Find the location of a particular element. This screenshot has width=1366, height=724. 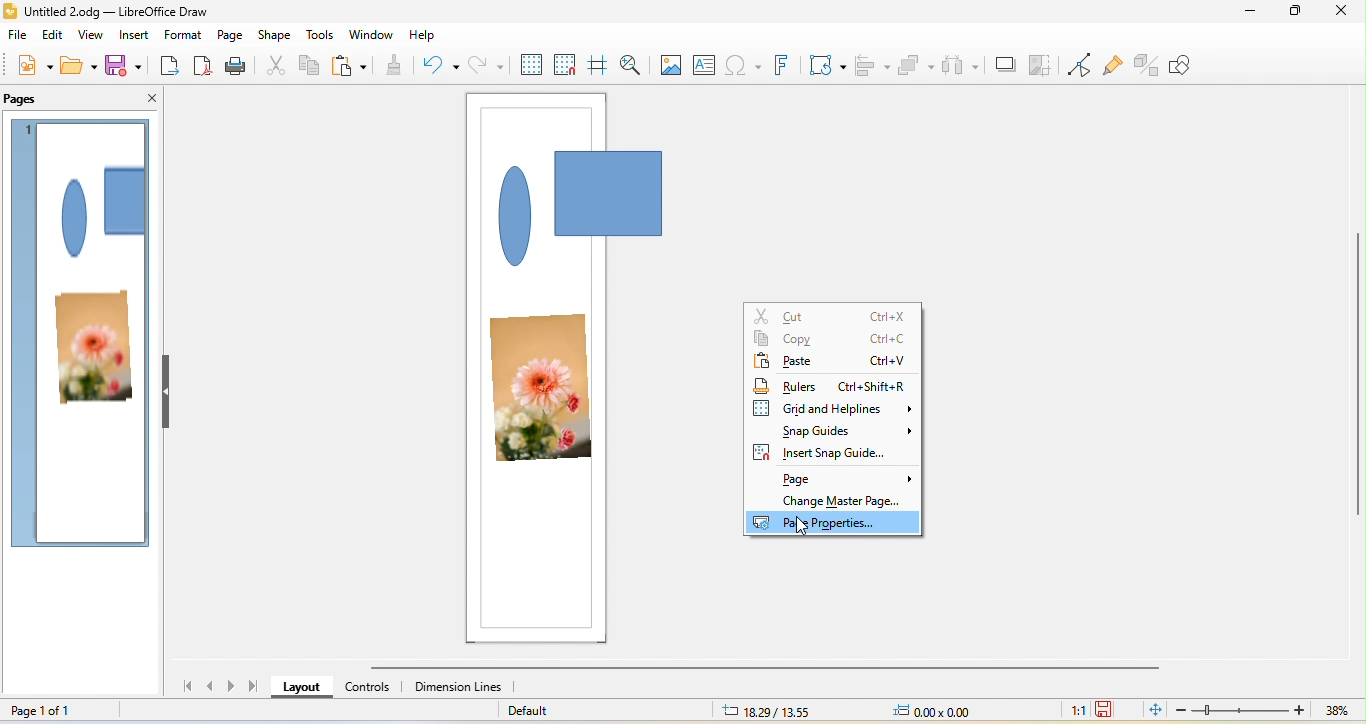

align object is located at coordinates (872, 65).